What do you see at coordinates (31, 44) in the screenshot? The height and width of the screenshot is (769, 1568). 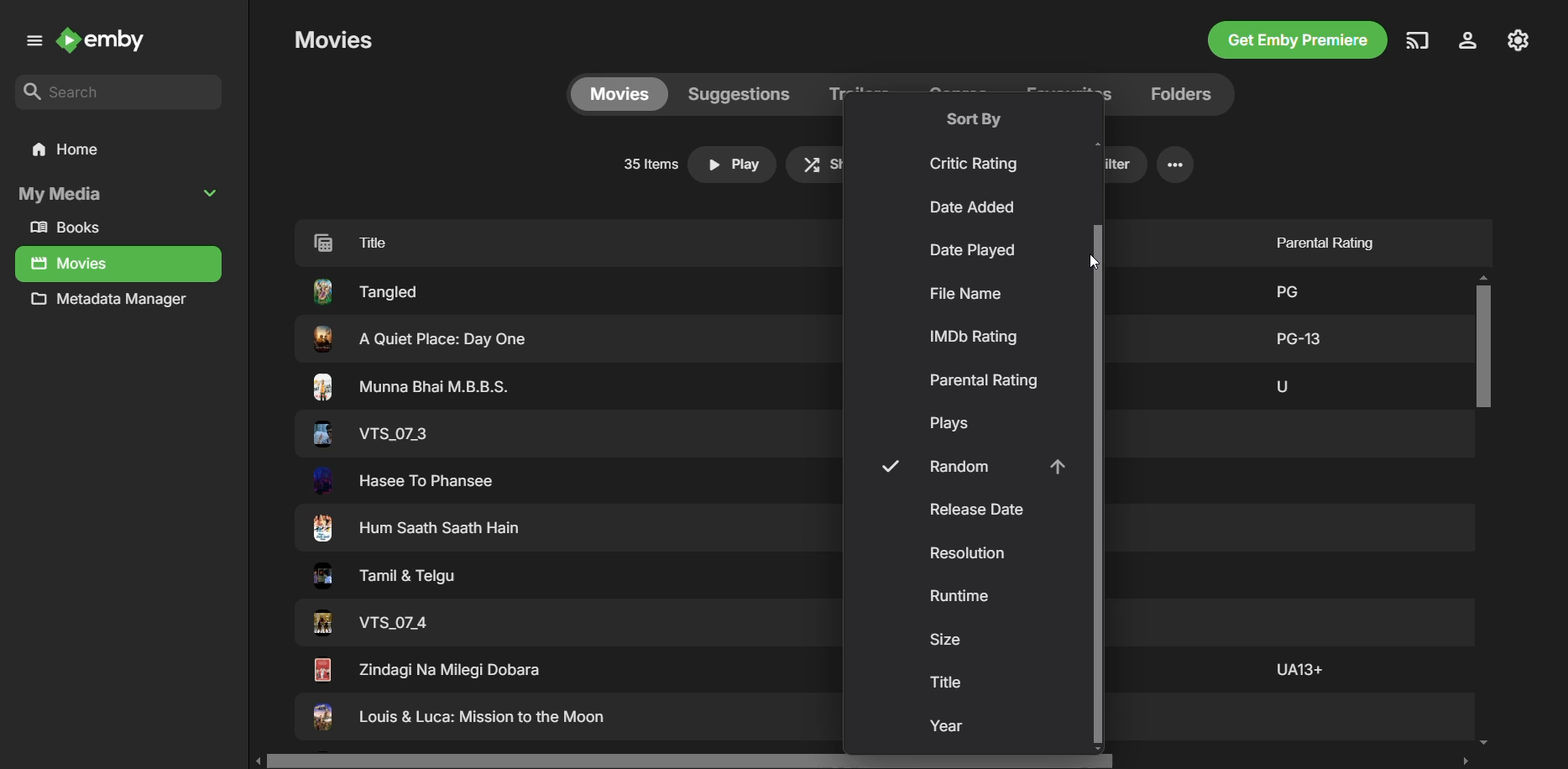 I see `Expand/Collapse` at bounding box center [31, 44].